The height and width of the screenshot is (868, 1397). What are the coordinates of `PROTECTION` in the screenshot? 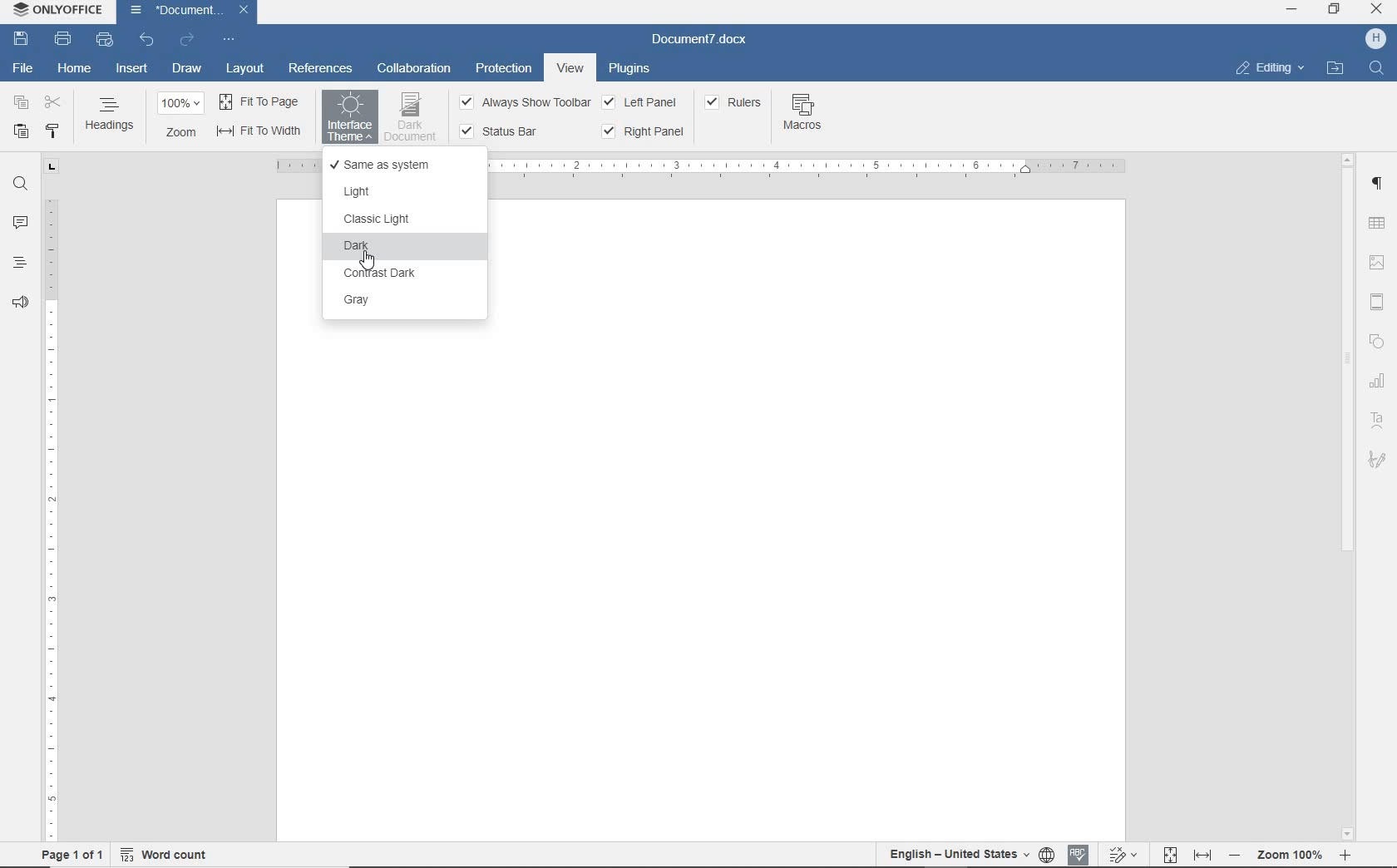 It's located at (507, 70).